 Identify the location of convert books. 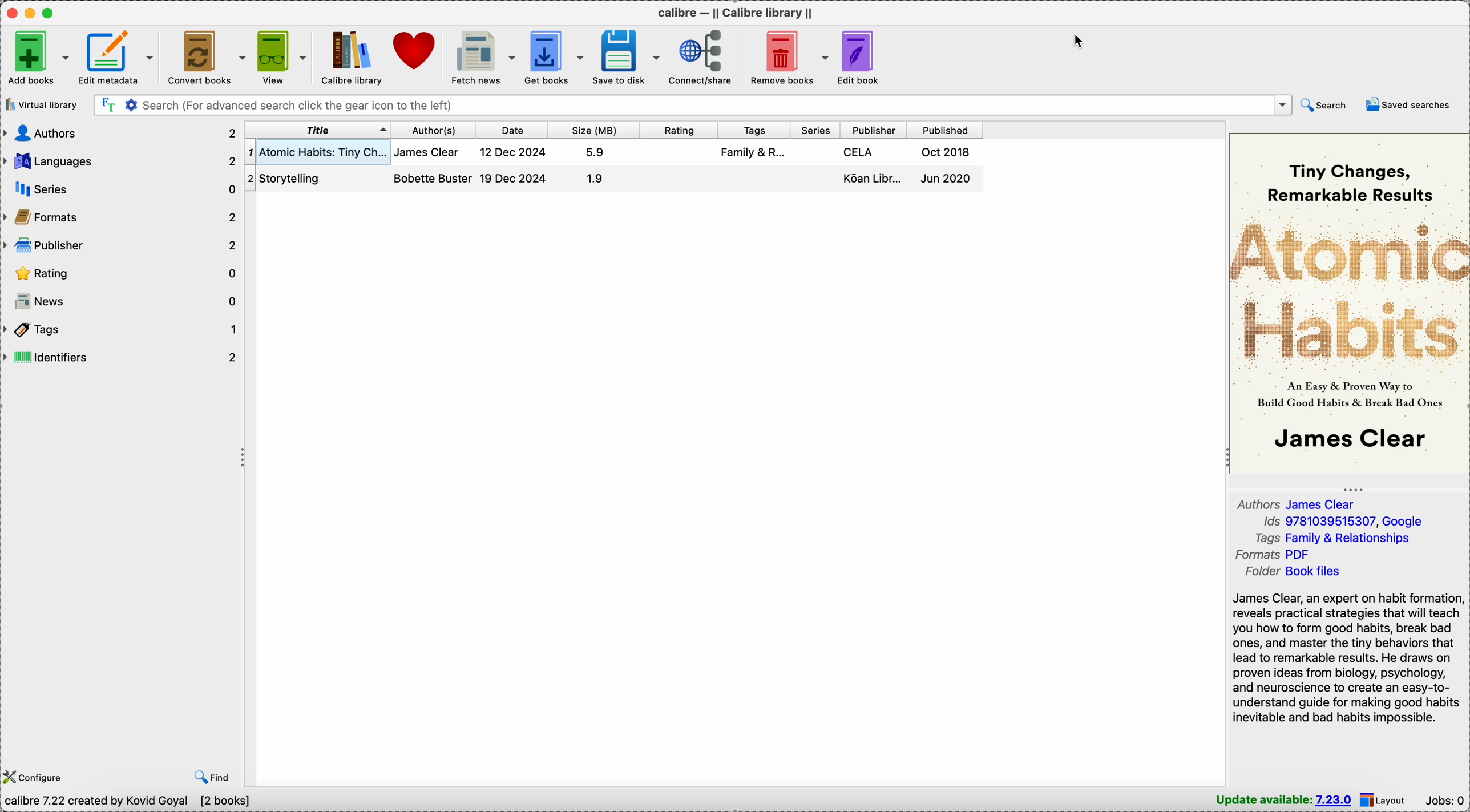
(205, 57).